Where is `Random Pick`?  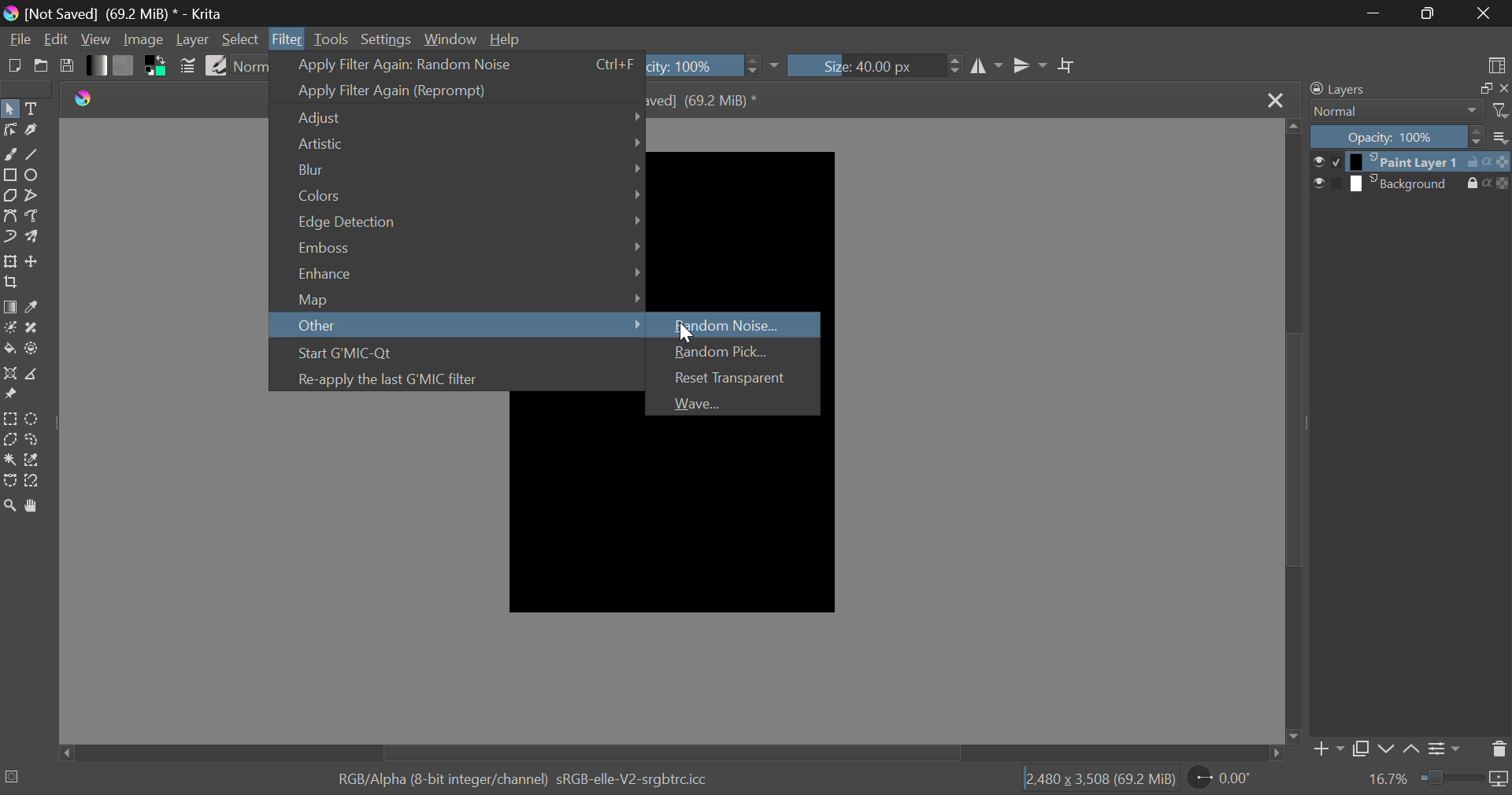
Random Pick is located at coordinates (732, 350).